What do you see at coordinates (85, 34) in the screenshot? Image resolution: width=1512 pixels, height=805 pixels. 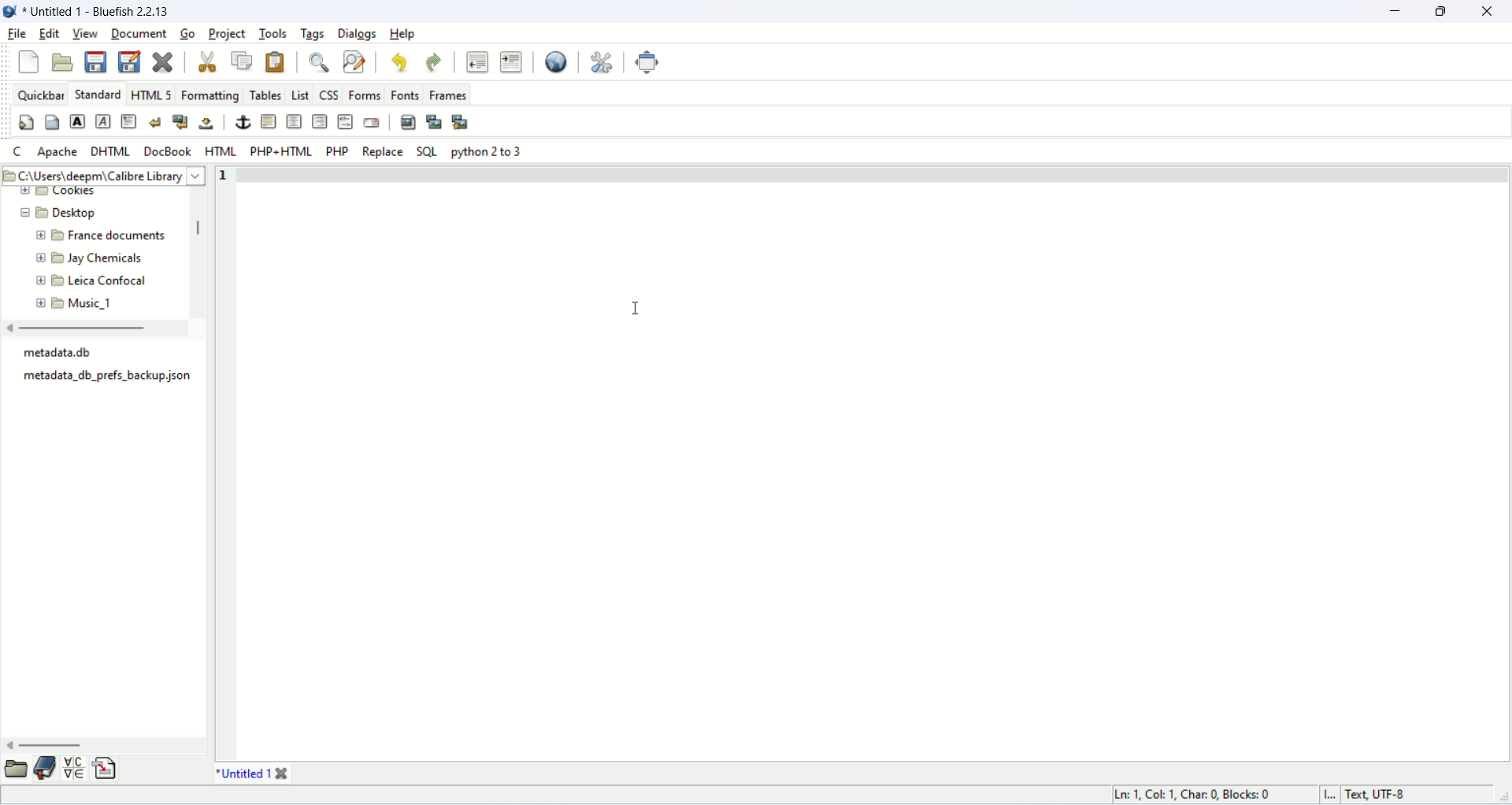 I see `view` at bounding box center [85, 34].